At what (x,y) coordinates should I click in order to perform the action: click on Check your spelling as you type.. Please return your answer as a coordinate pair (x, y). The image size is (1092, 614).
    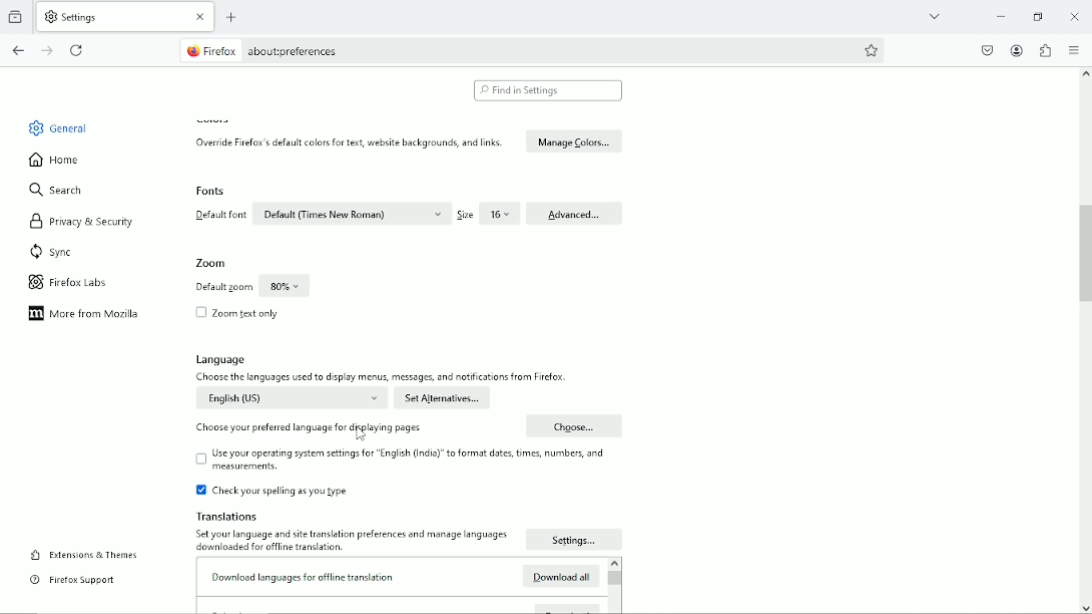
    Looking at the image, I should click on (273, 492).